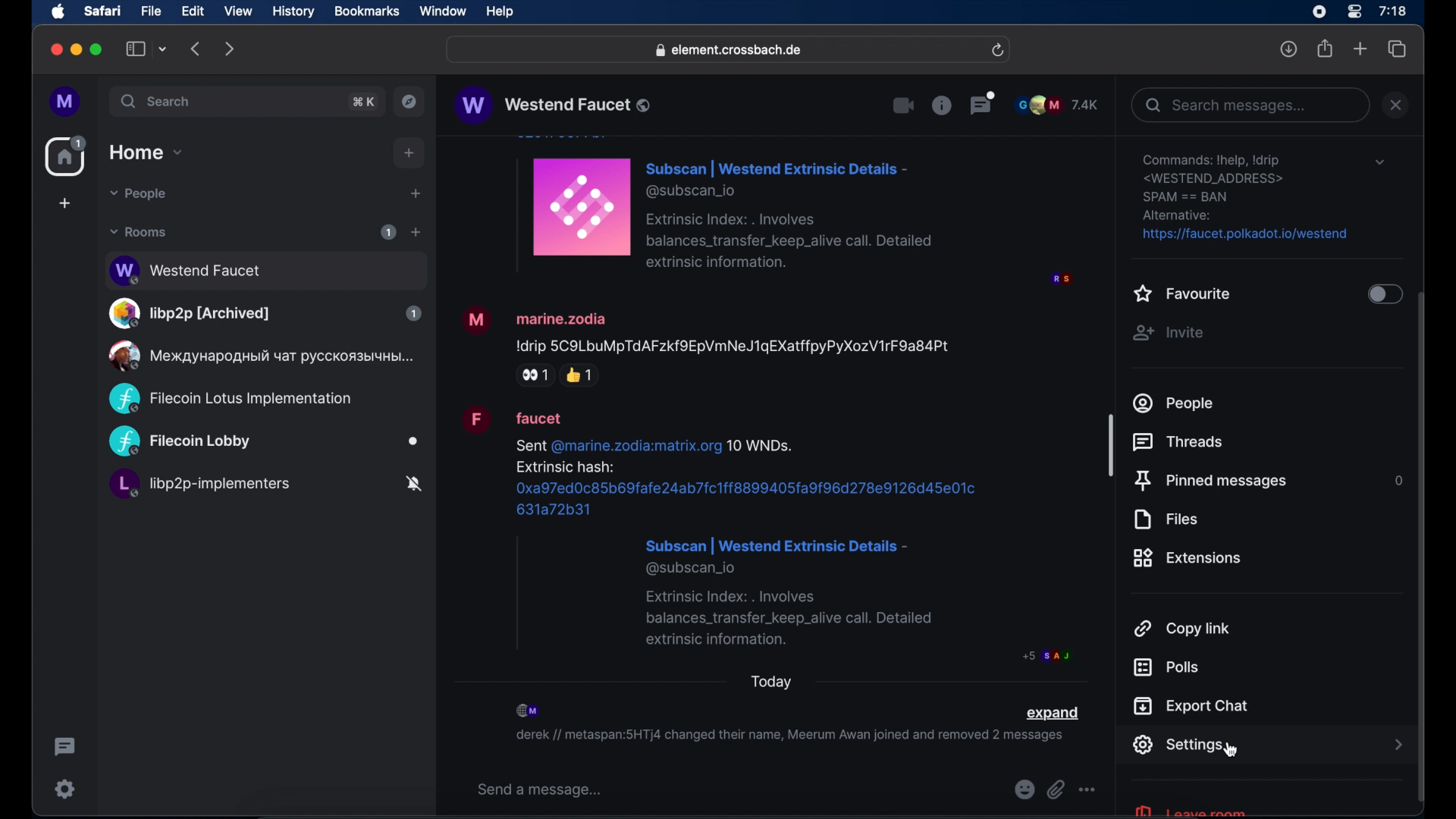  What do you see at coordinates (151, 11) in the screenshot?
I see `file` at bounding box center [151, 11].